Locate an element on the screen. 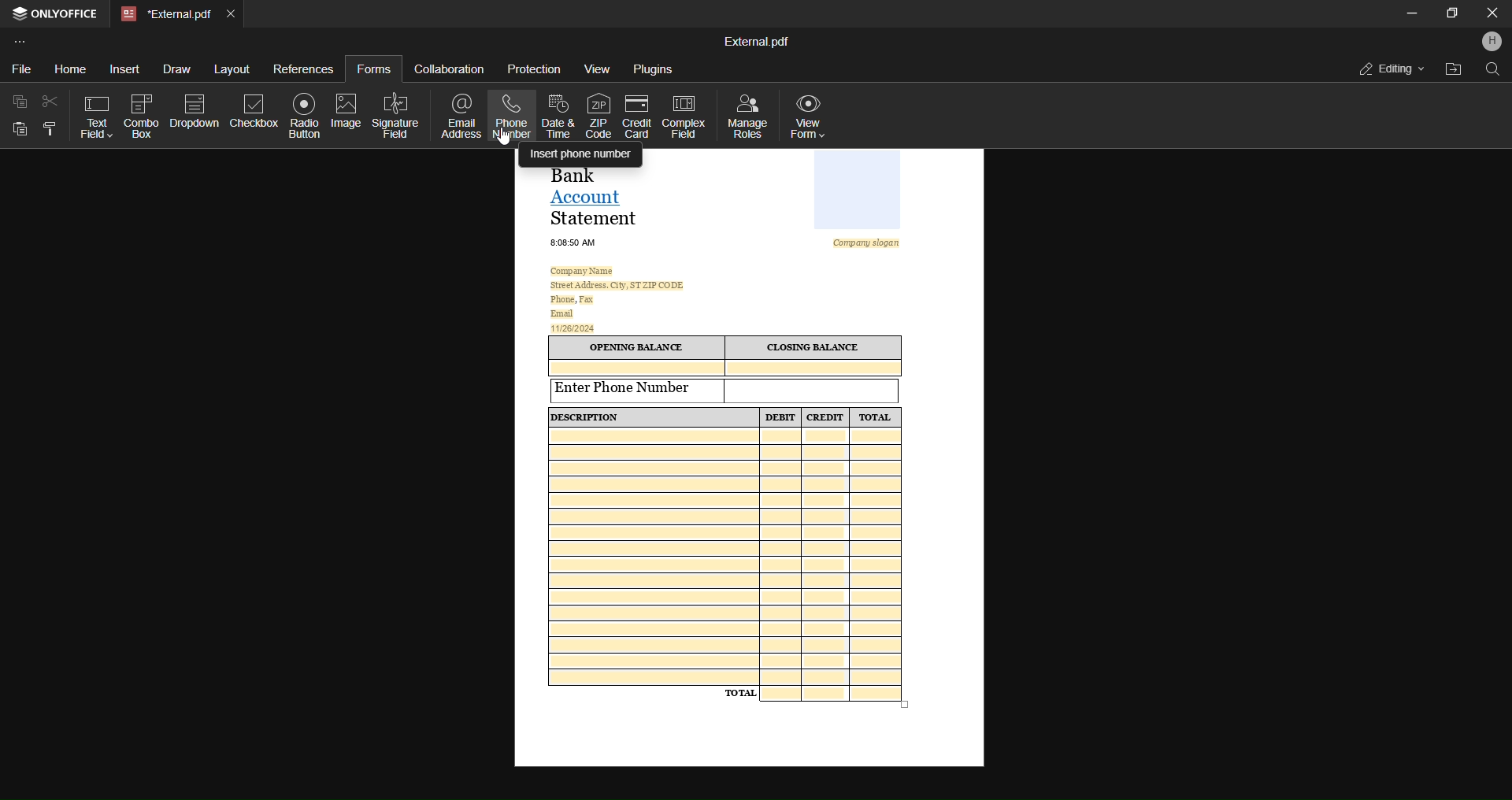  home is located at coordinates (69, 67).